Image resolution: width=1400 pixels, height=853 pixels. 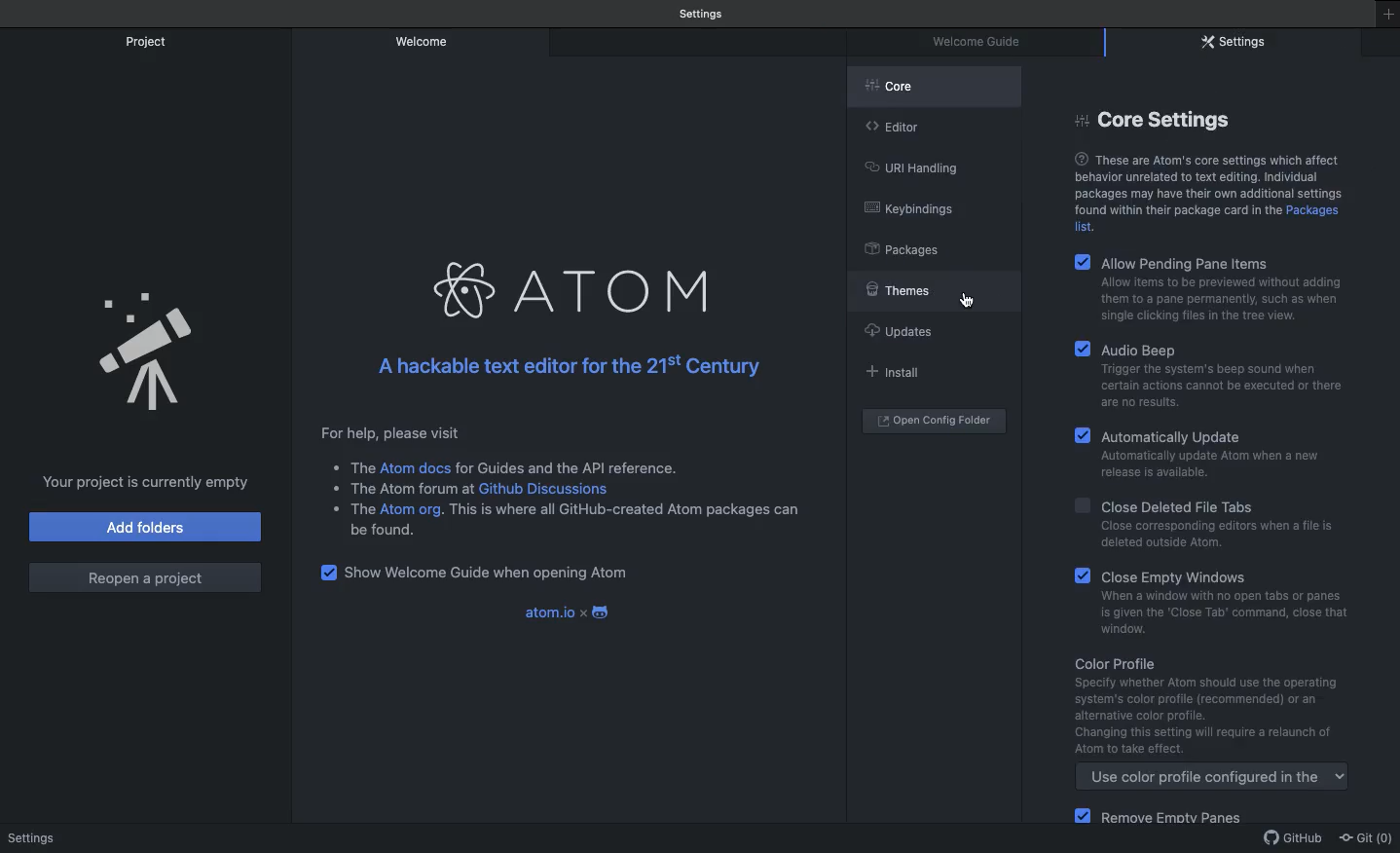 I want to click on Welcome guide, so click(x=704, y=13).